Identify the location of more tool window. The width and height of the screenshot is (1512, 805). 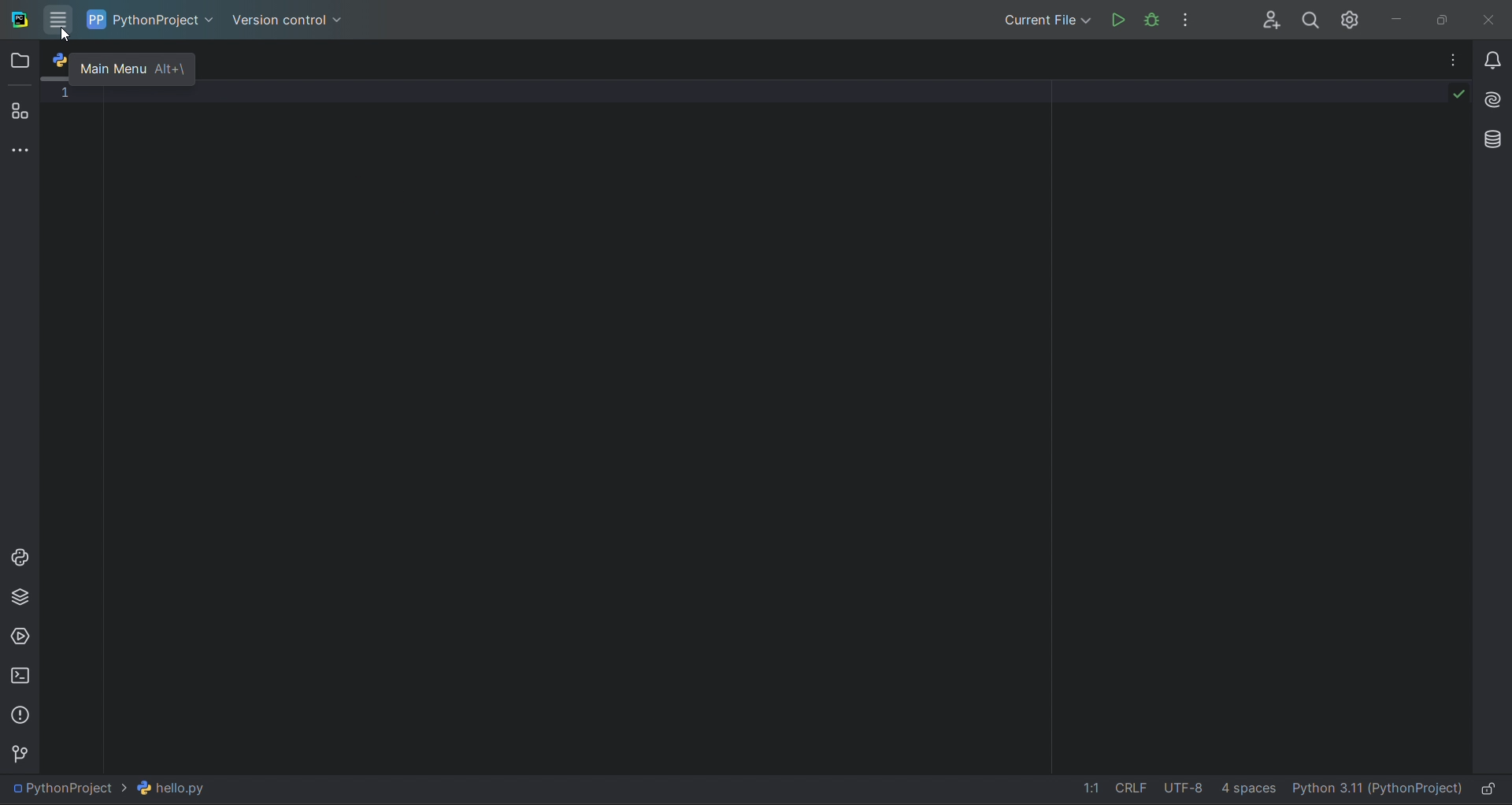
(20, 150).